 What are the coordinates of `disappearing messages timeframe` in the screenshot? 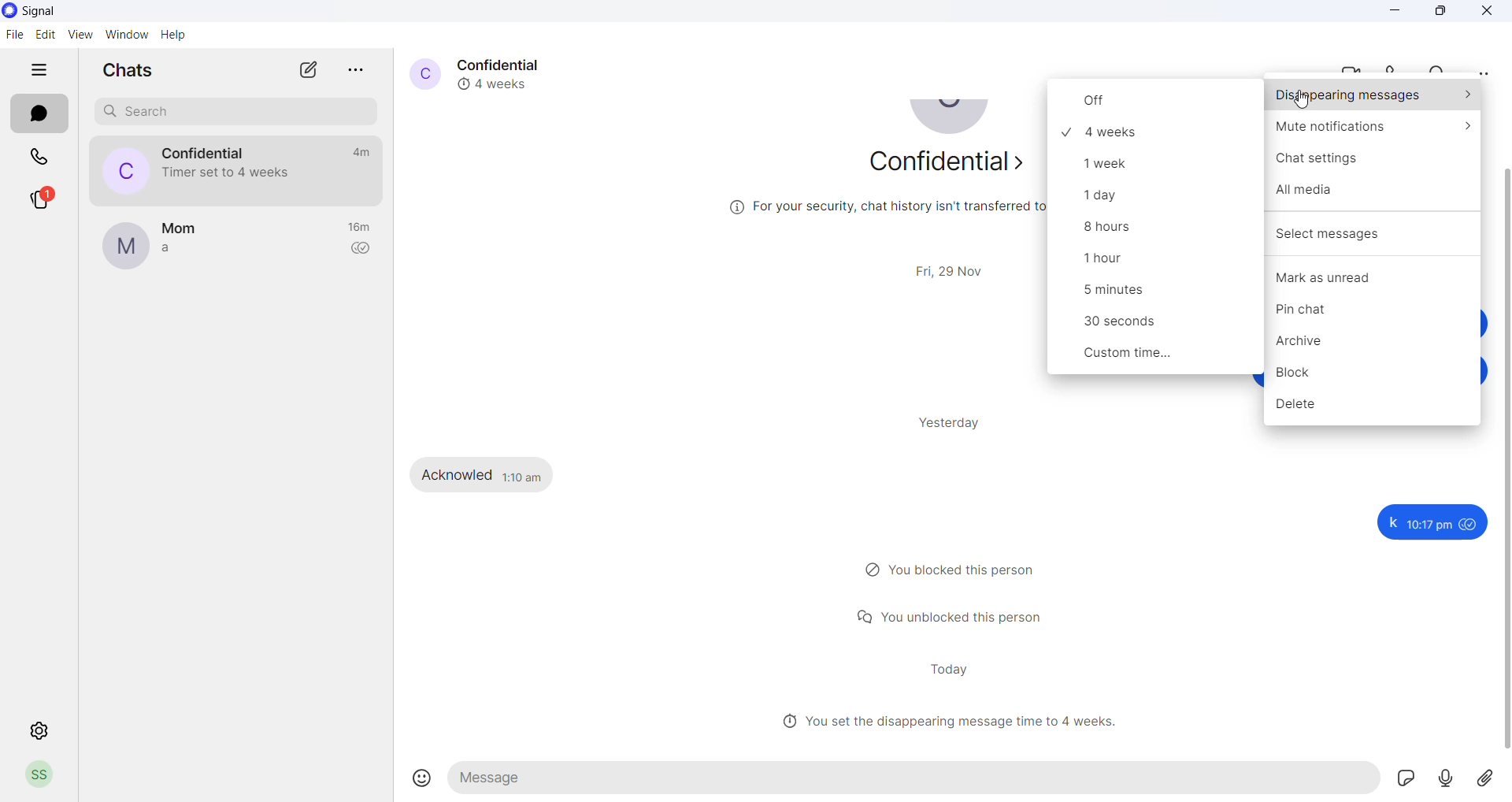 It's located at (1156, 325).